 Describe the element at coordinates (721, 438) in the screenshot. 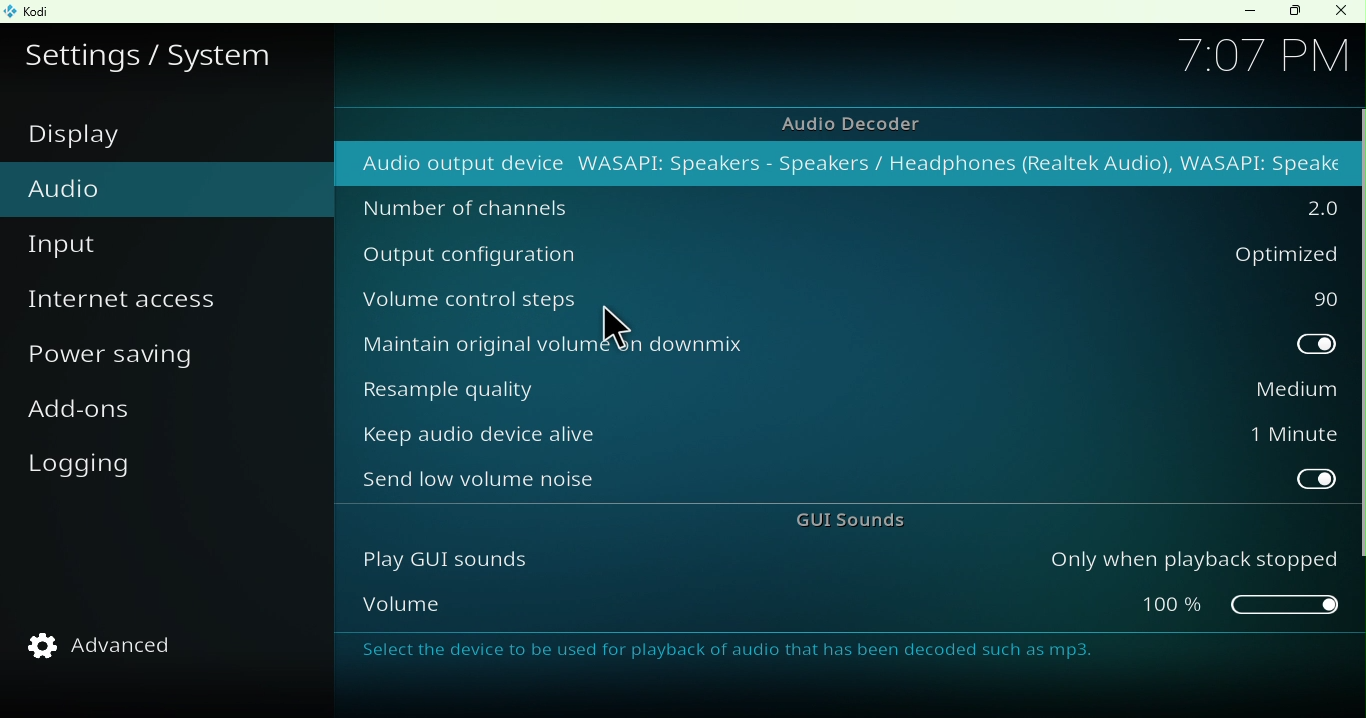

I see `Keep audio device alive` at that location.